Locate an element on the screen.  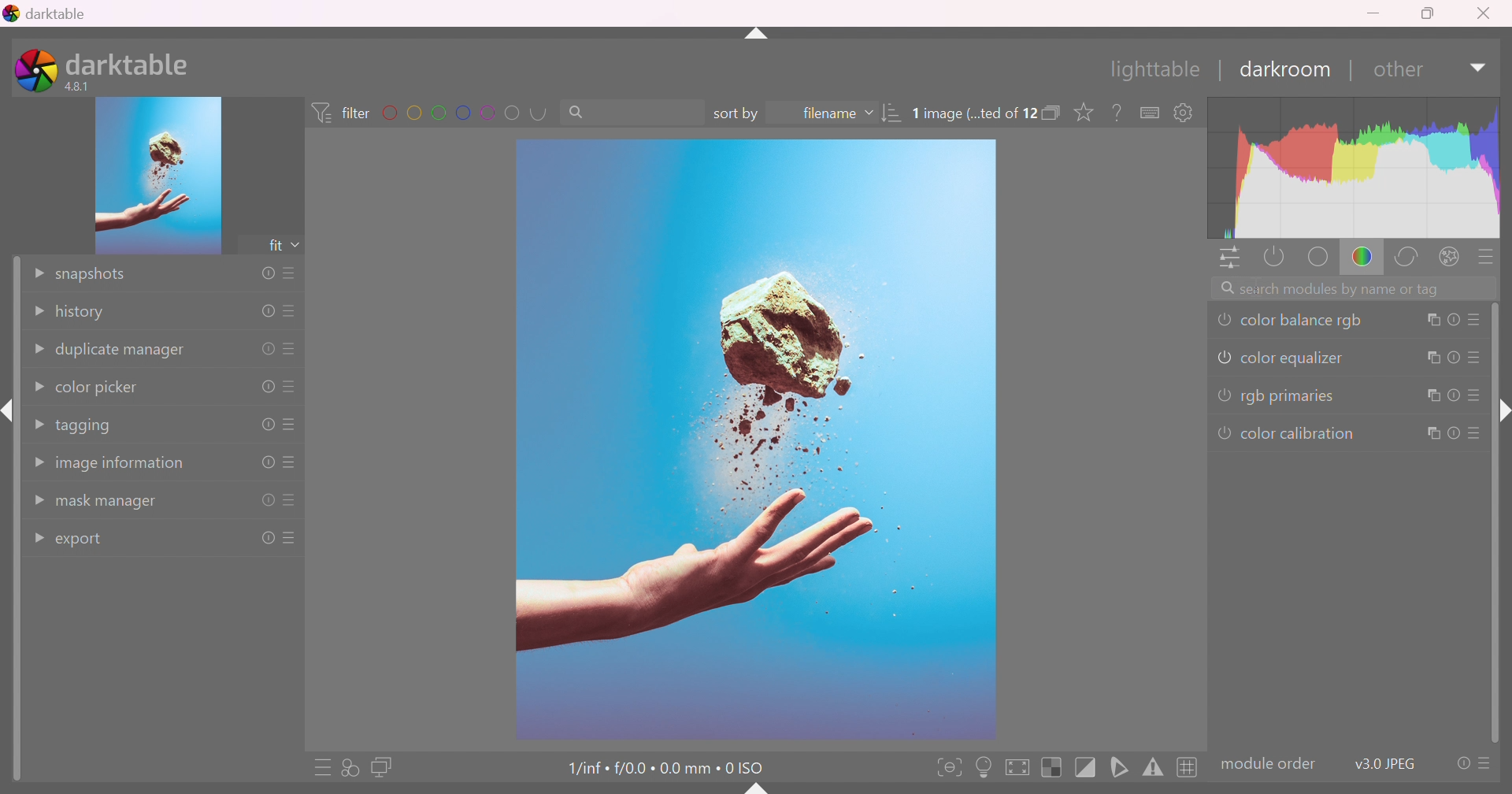
search is located at coordinates (613, 113).